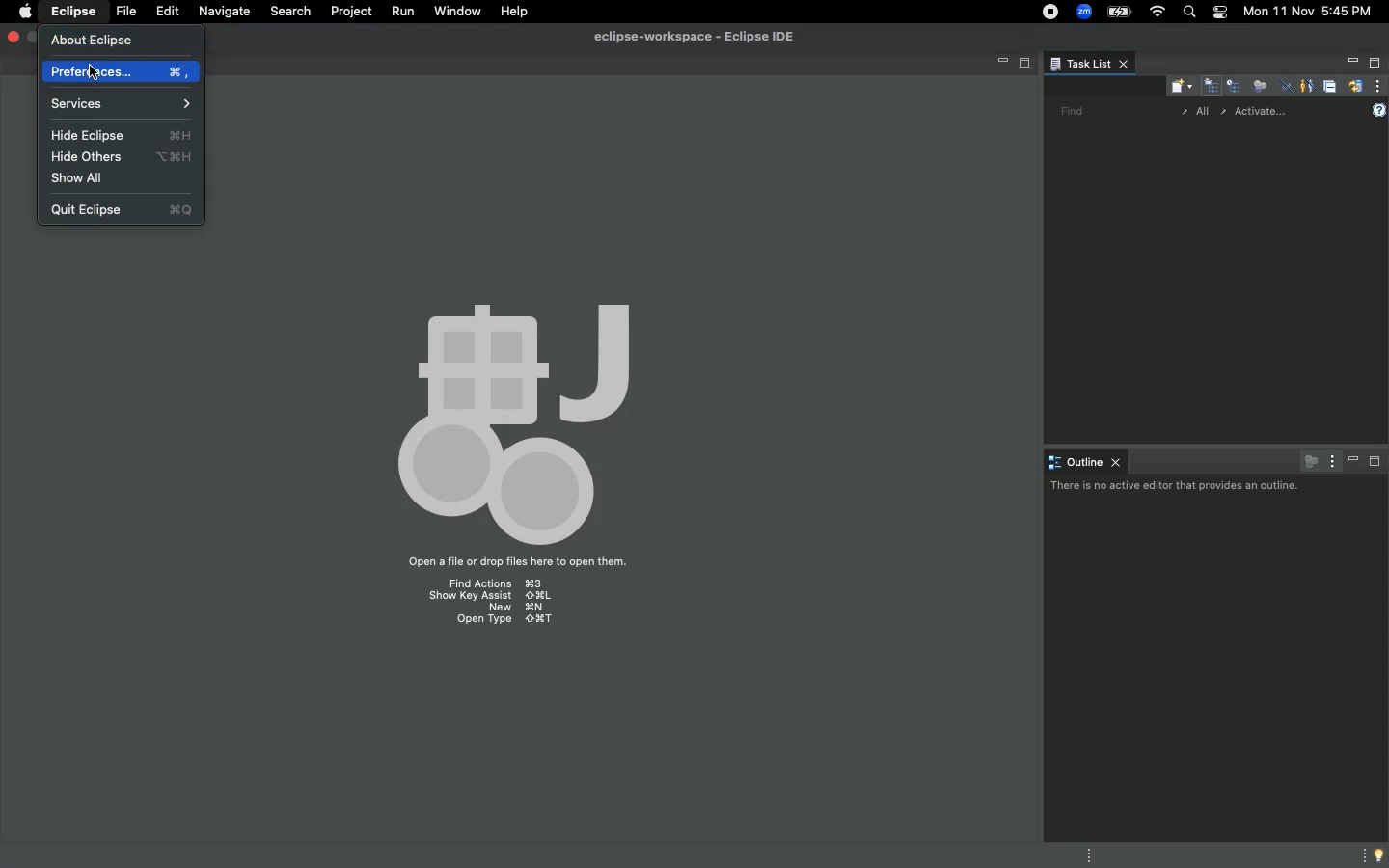  I want to click on Maximize , so click(1375, 64).